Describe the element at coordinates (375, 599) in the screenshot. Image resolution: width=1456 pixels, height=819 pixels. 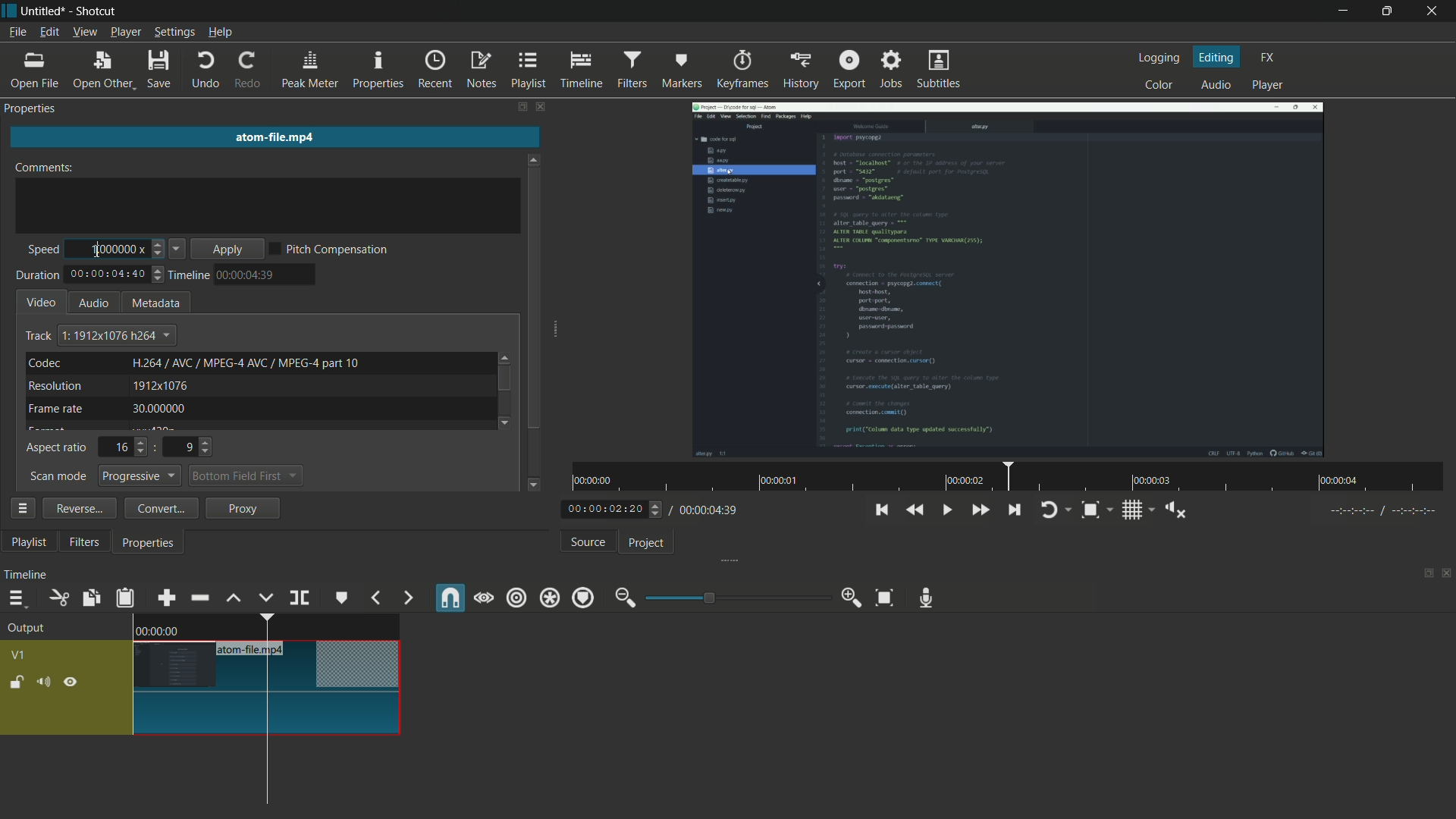
I see `previous marker` at that location.